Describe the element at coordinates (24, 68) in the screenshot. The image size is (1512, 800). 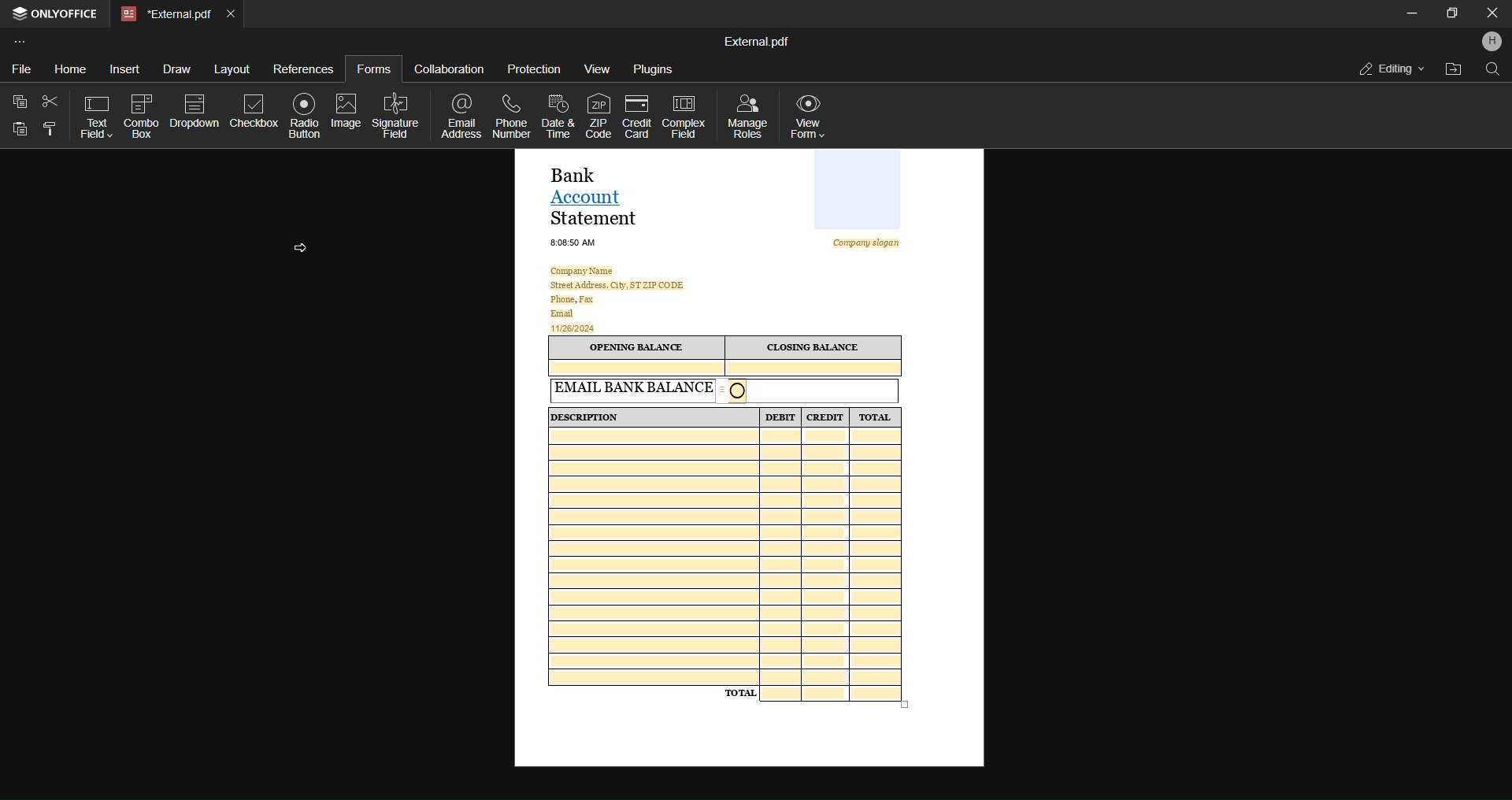
I see `file` at that location.